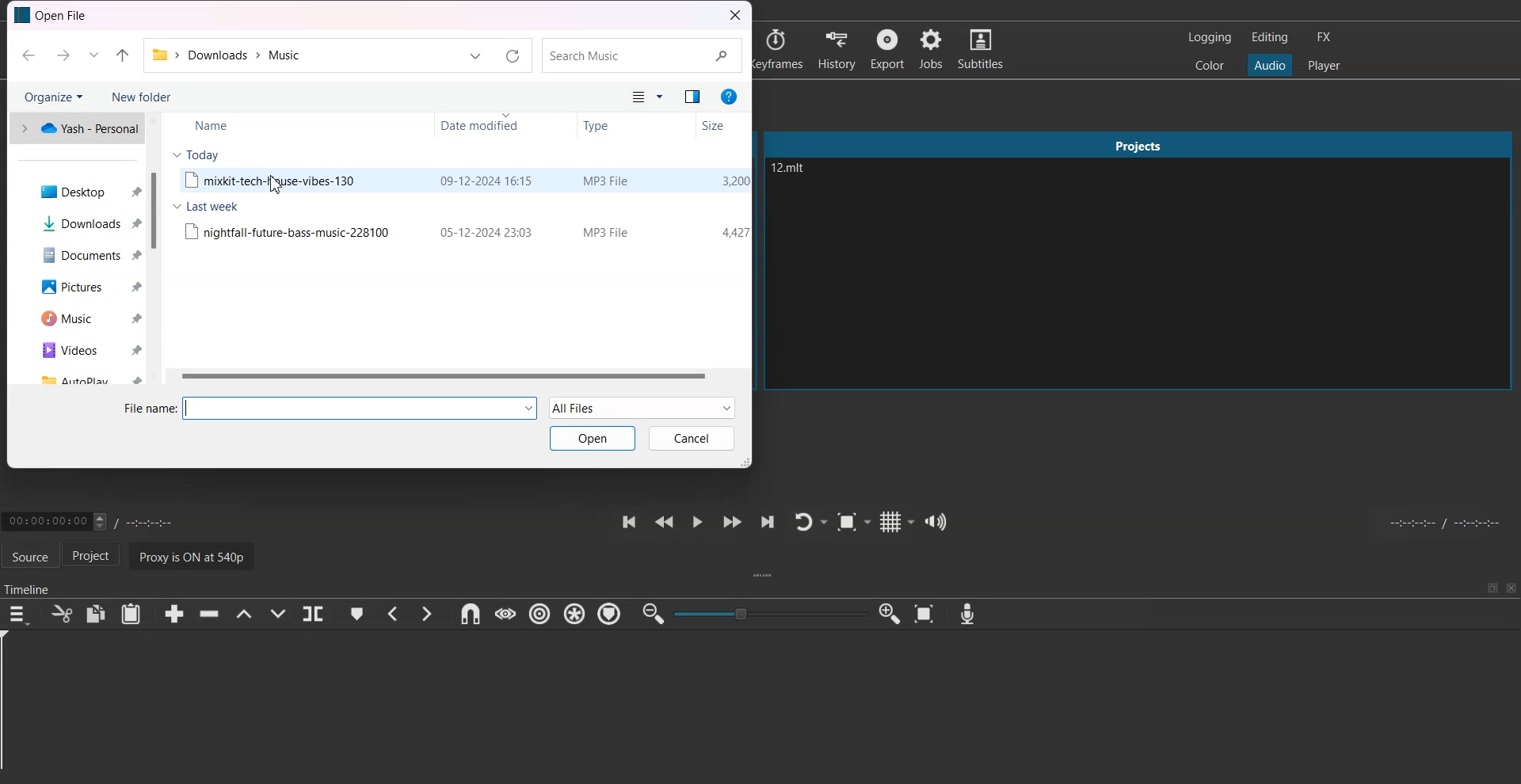  Describe the element at coordinates (1511, 588) in the screenshot. I see `Close` at that location.